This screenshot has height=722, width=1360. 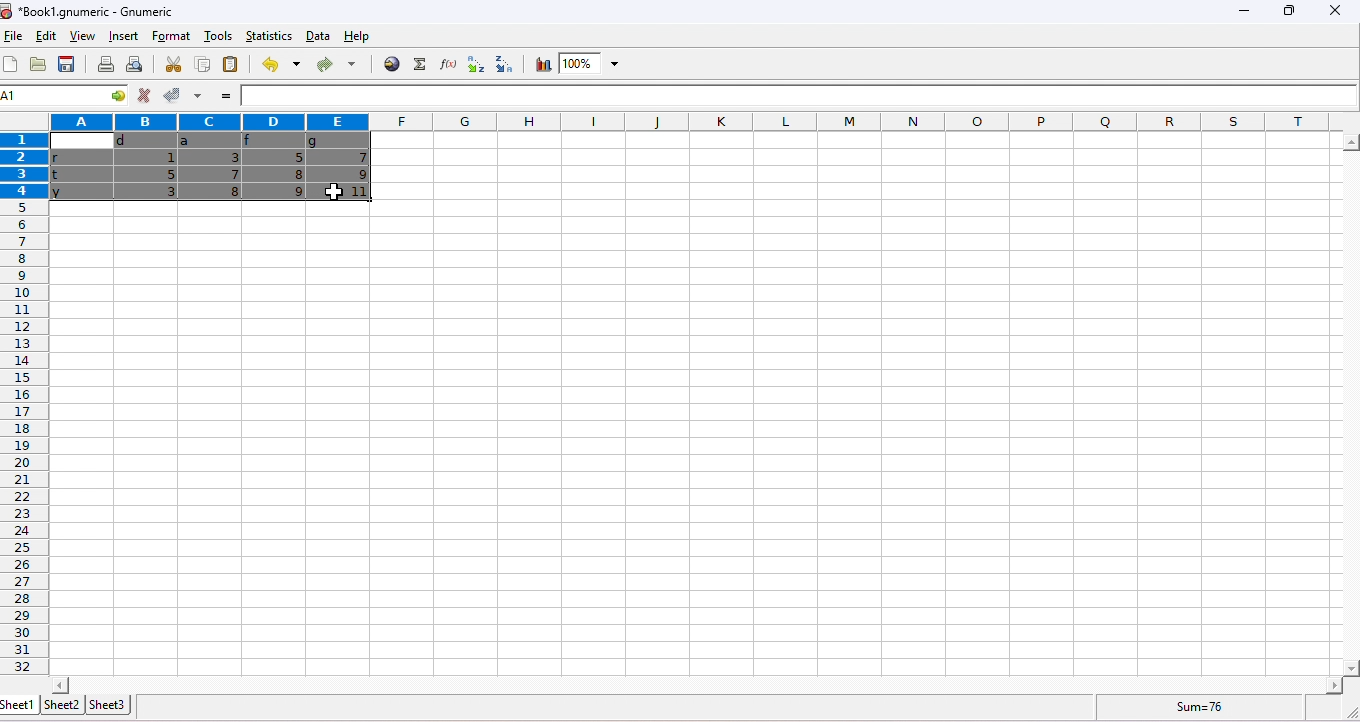 What do you see at coordinates (267, 35) in the screenshot?
I see `statistics` at bounding box center [267, 35].